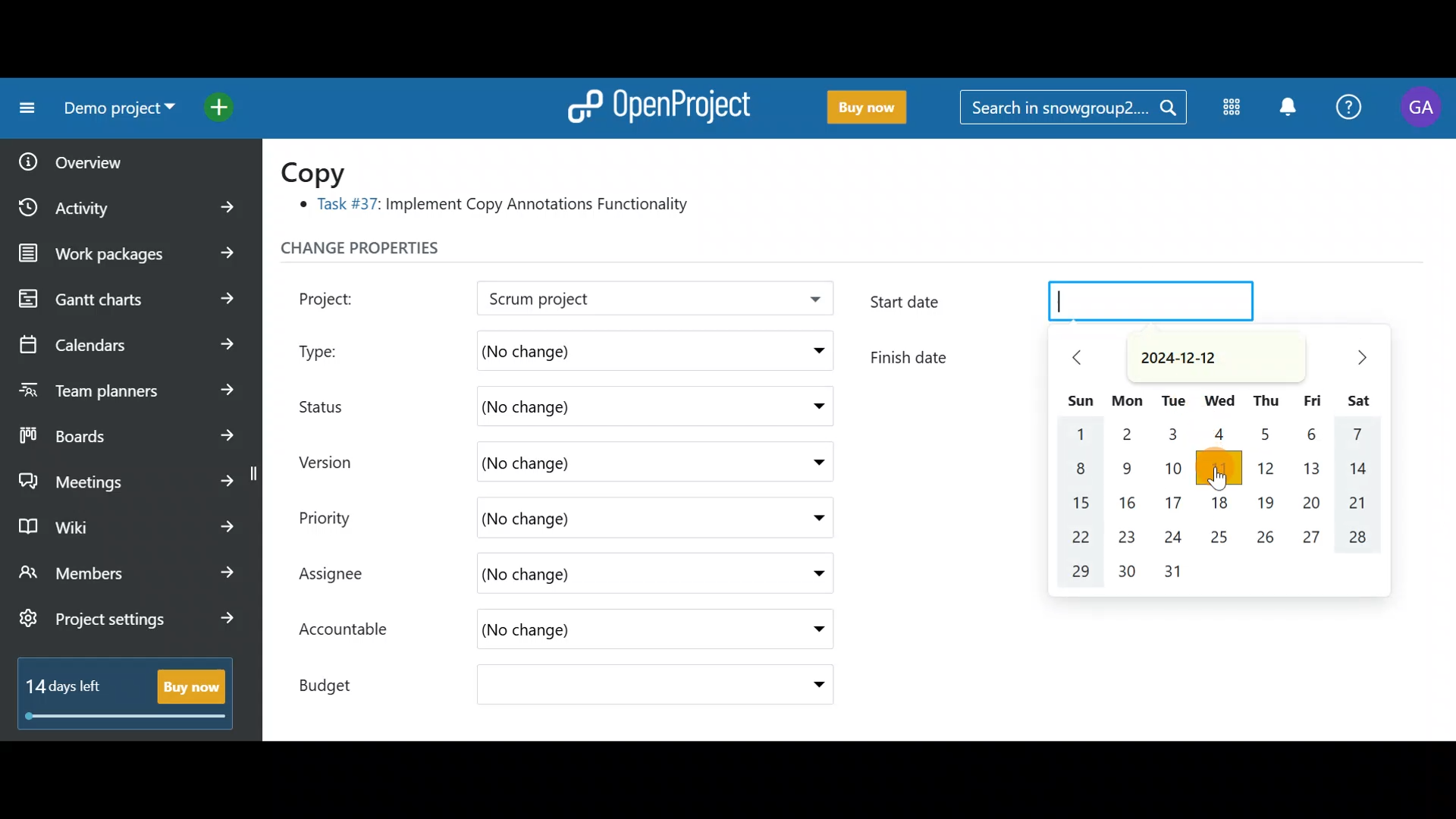 Image resolution: width=1456 pixels, height=819 pixels. What do you see at coordinates (1221, 402) in the screenshot?
I see `Wed` at bounding box center [1221, 402].